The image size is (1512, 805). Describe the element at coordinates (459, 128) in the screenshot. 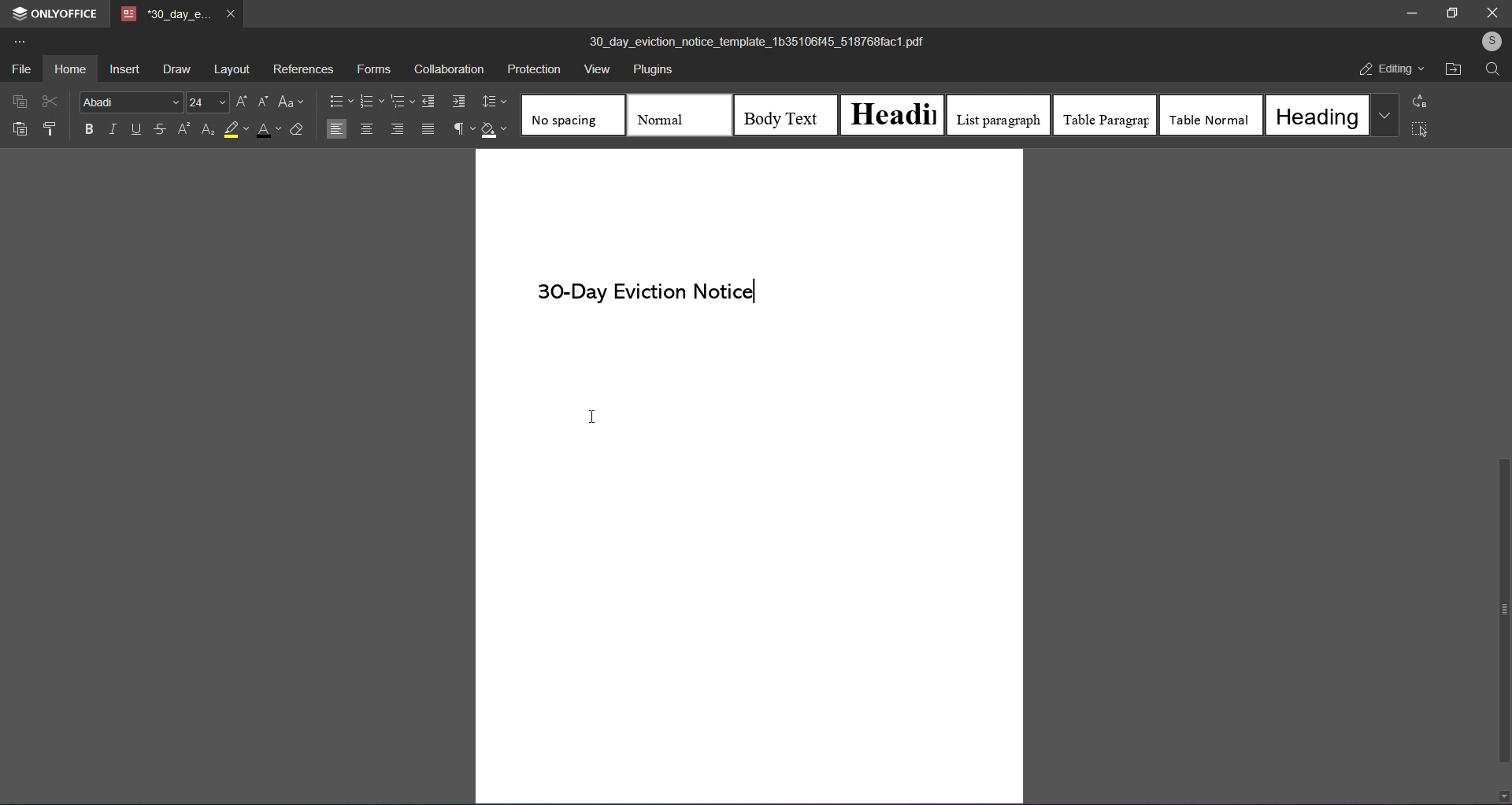

I see `non printing characters` at that location.